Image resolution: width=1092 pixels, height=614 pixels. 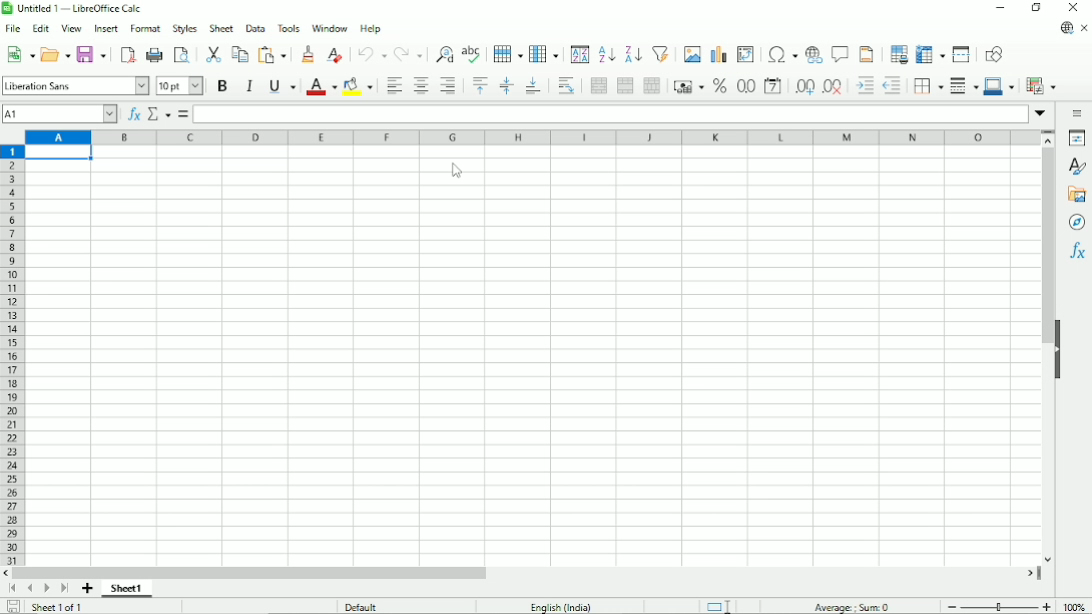 I want to click on Column, so click(x=545, y=53).